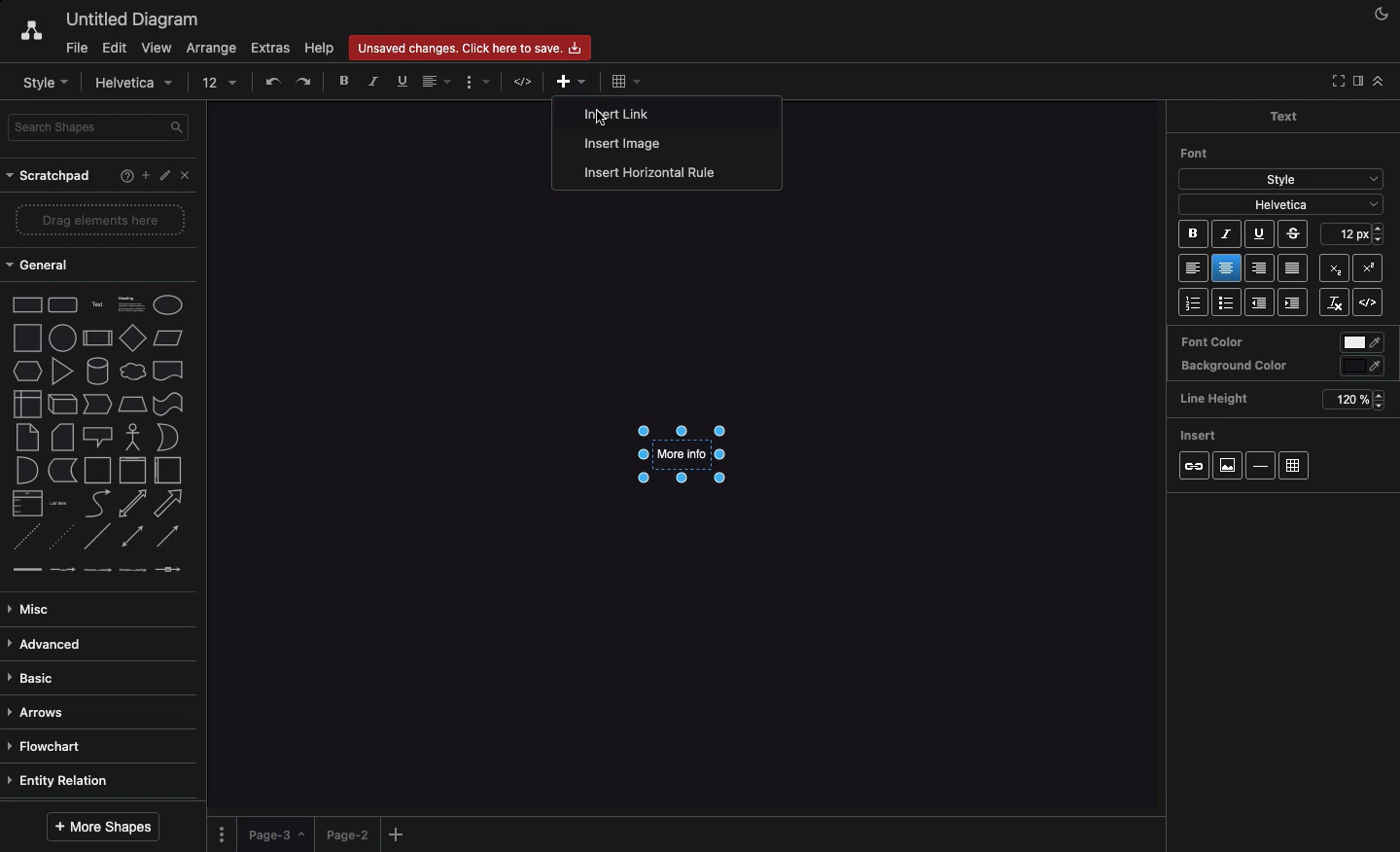 This screenshot has height=852, width=1400. Describe the element at coordinates (28, 503) in the screenshot. I see `list` at that location.